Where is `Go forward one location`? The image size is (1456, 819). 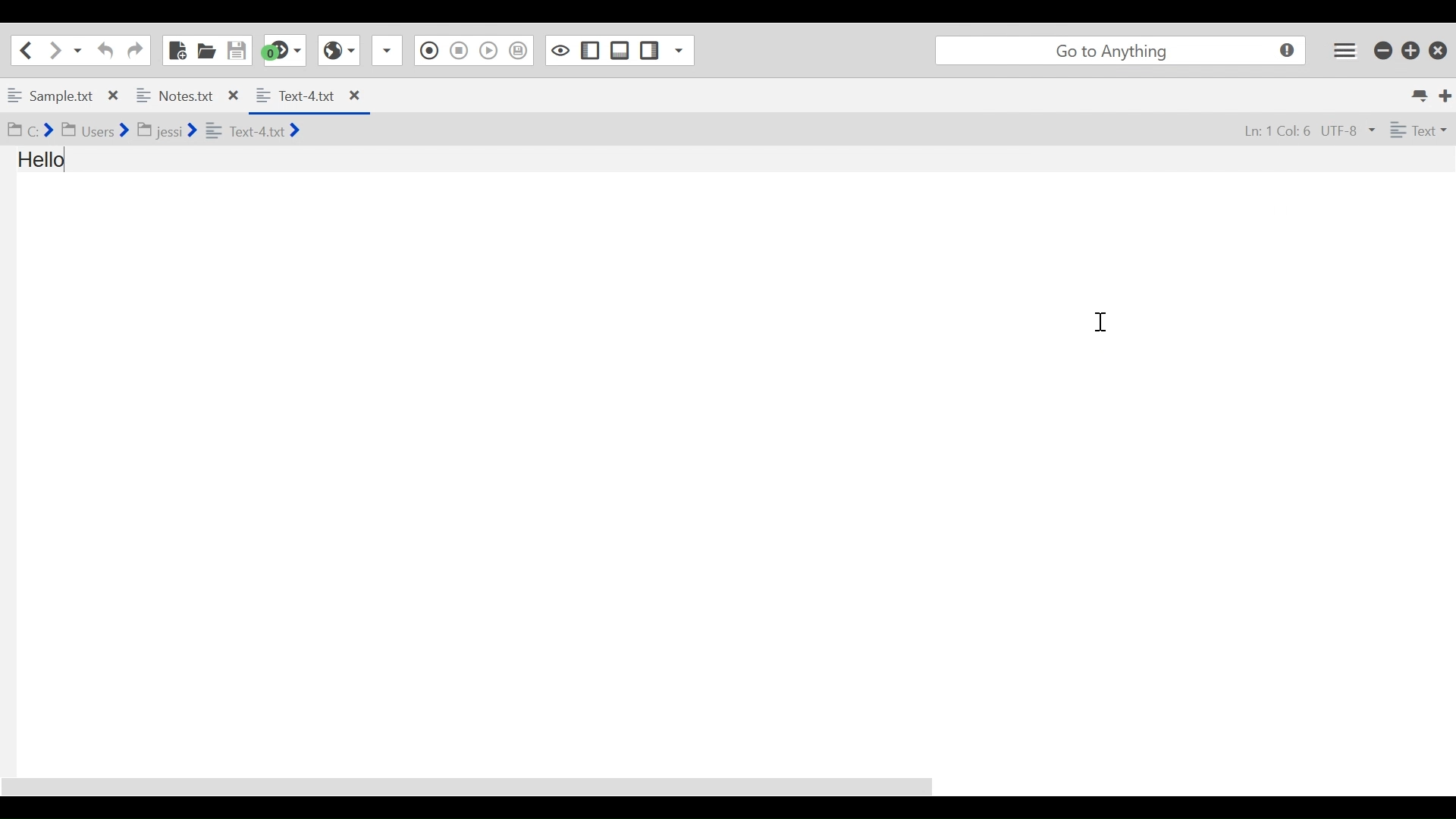
Go forward one location is located at coordinates (52, 50).